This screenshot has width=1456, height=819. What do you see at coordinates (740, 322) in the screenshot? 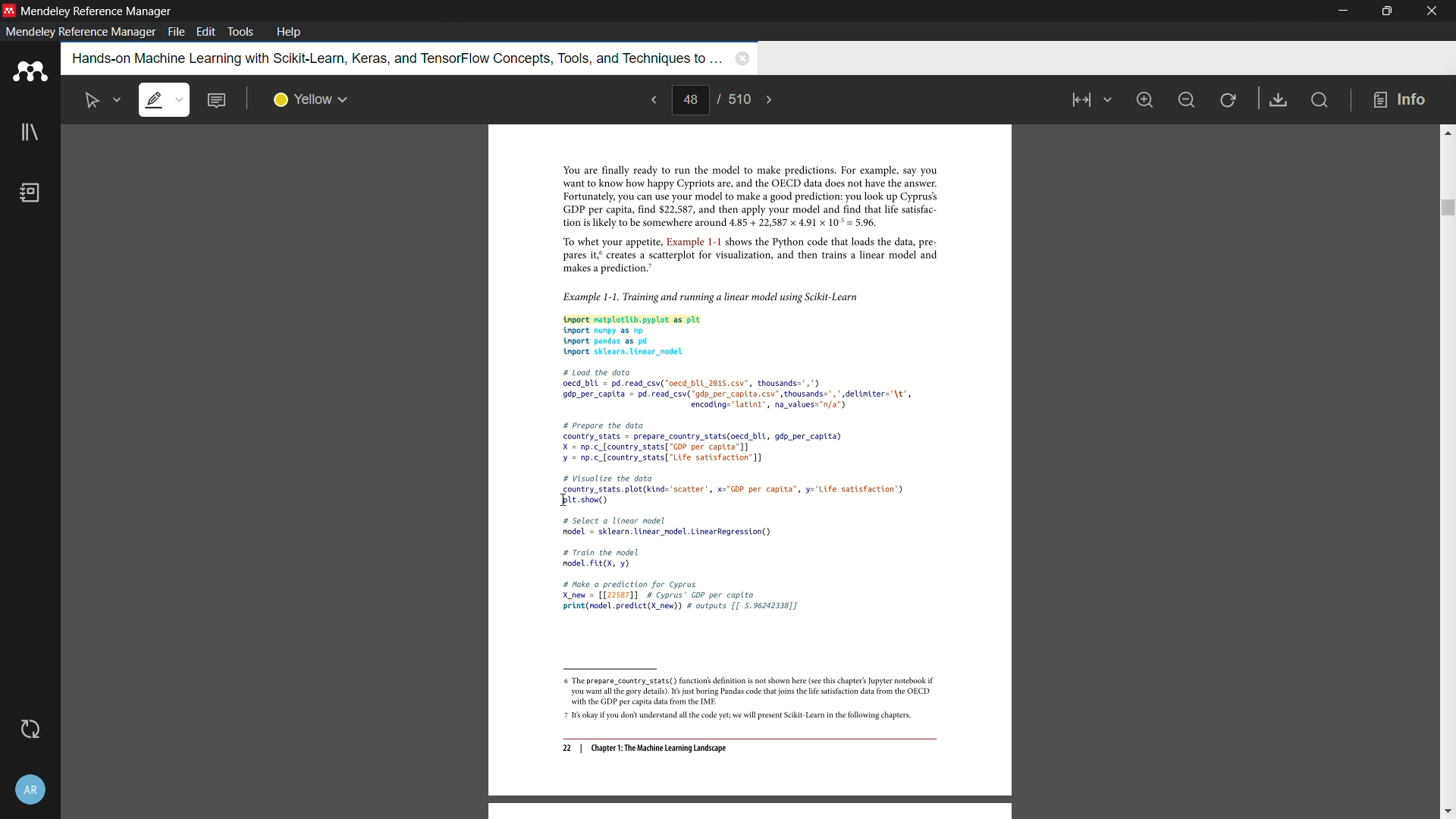
I see `Example 1-1. Training and running a linear model using Scikit-Learn
tnport matplotlib.pyplot as plt

nport nunpy as np.

tnport pandas as pd

tnport sklearn. Linear_nodel` at bounding box center [740, 322].